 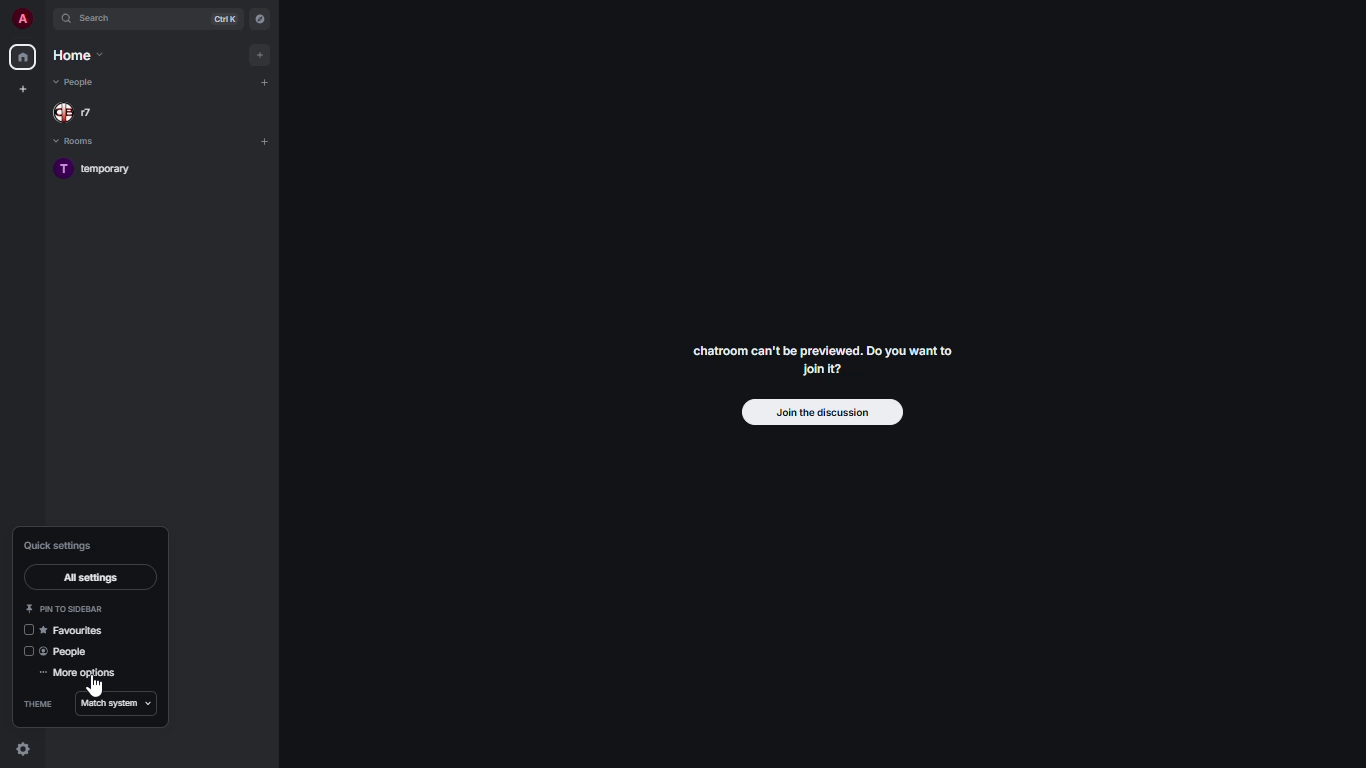 I want to click on more settings, so click(x=78, y=675).